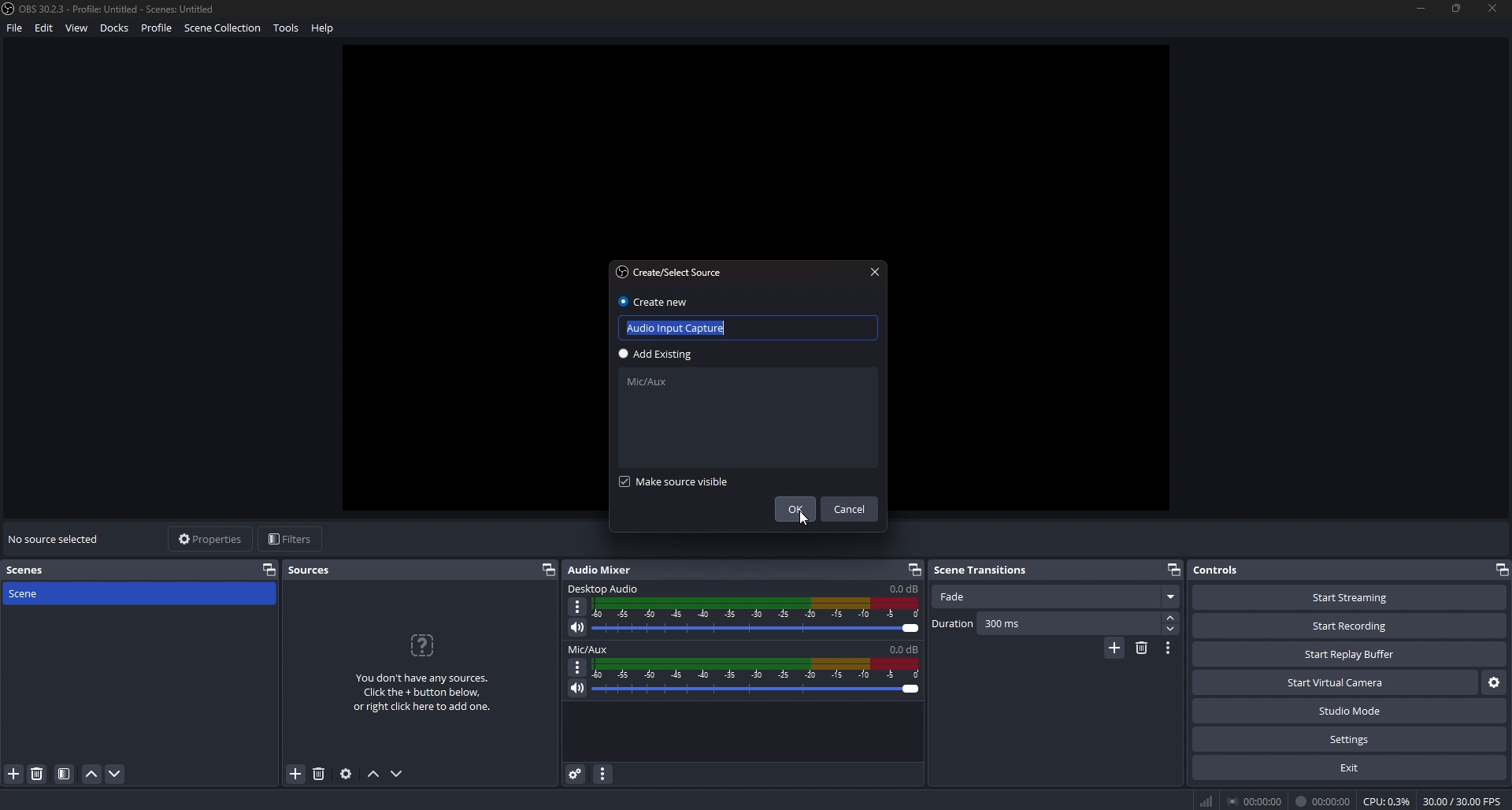 The image size is (1512, 810). What do you see at coordinates (797, 508) in the screenshot?
I see `ok` at bounding box center [797, 508].